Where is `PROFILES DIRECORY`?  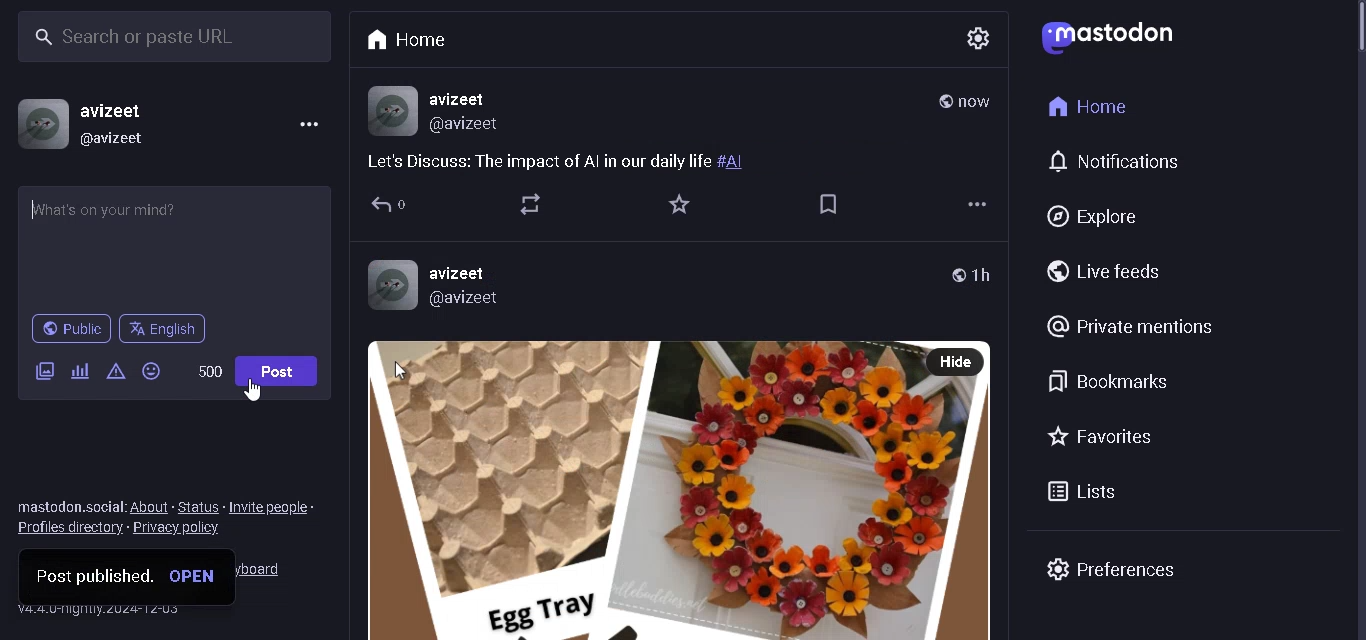
PROFILES DIRECORY is located at coordinates (68, 530).